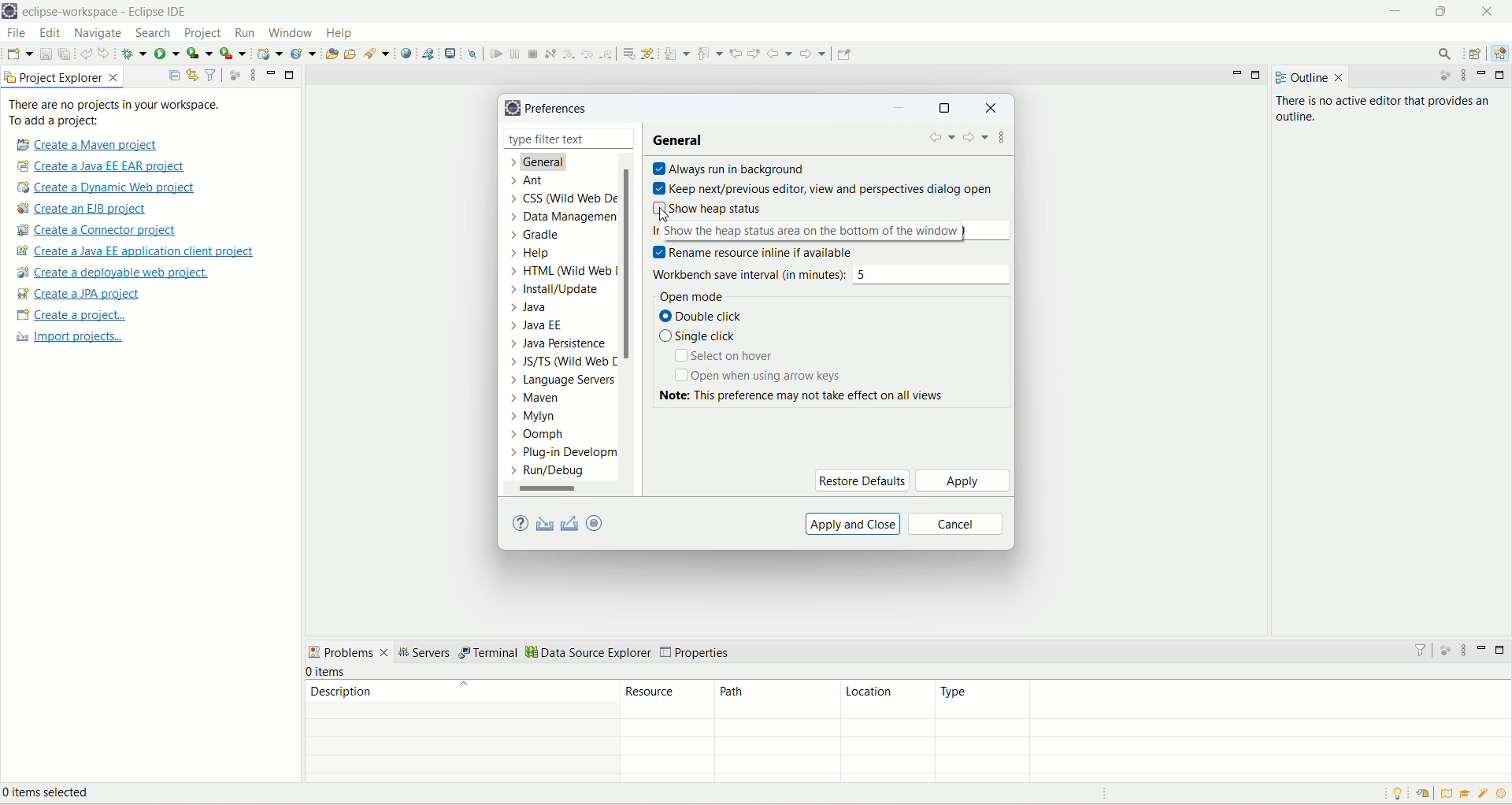 This screenshot has height=805, width=1512. Describe the element at coordinates (193, 75) in the screenshot. I see `link with editor` at that location.